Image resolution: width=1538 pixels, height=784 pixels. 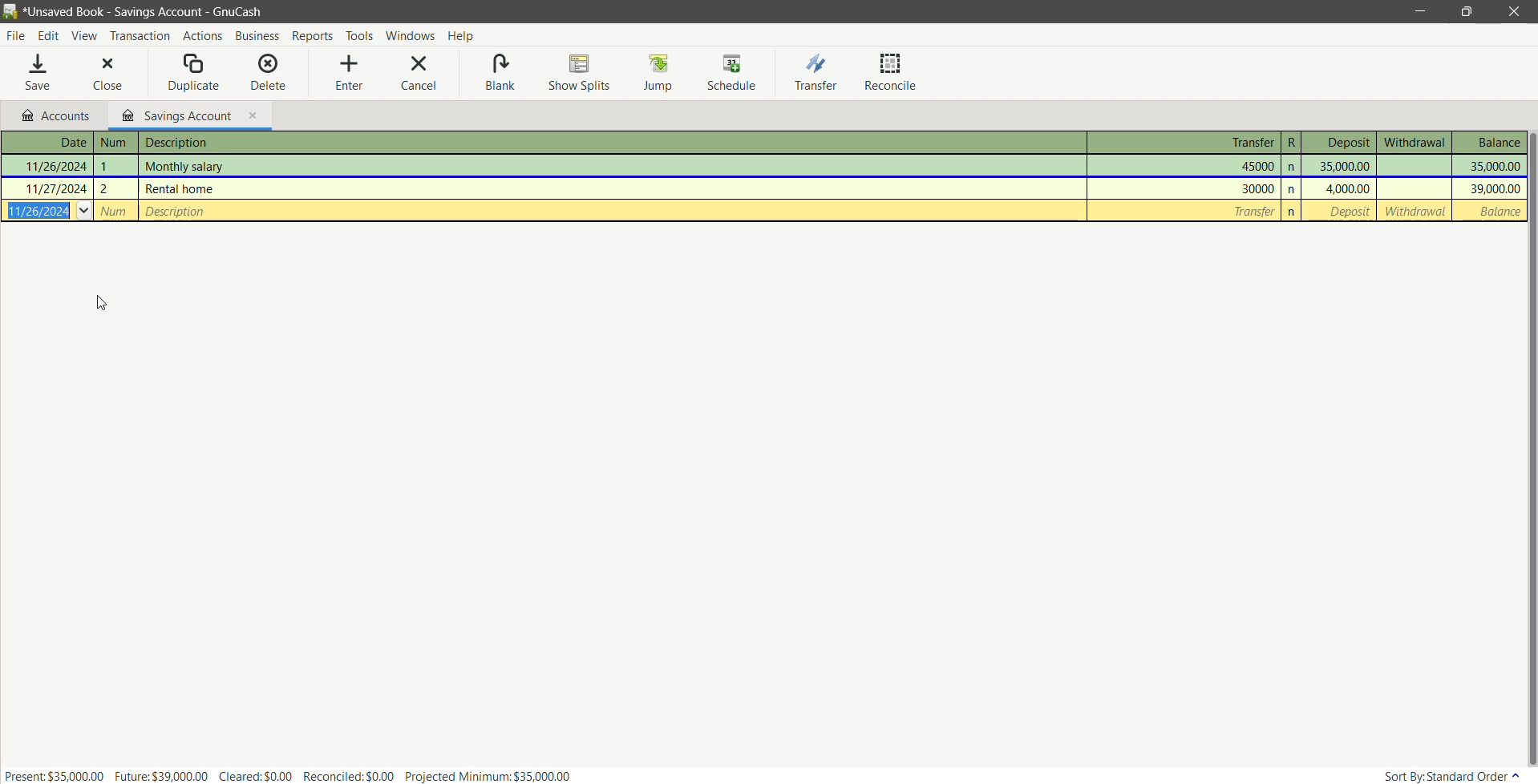 I want to click on Business, so click(x=257, y=34).